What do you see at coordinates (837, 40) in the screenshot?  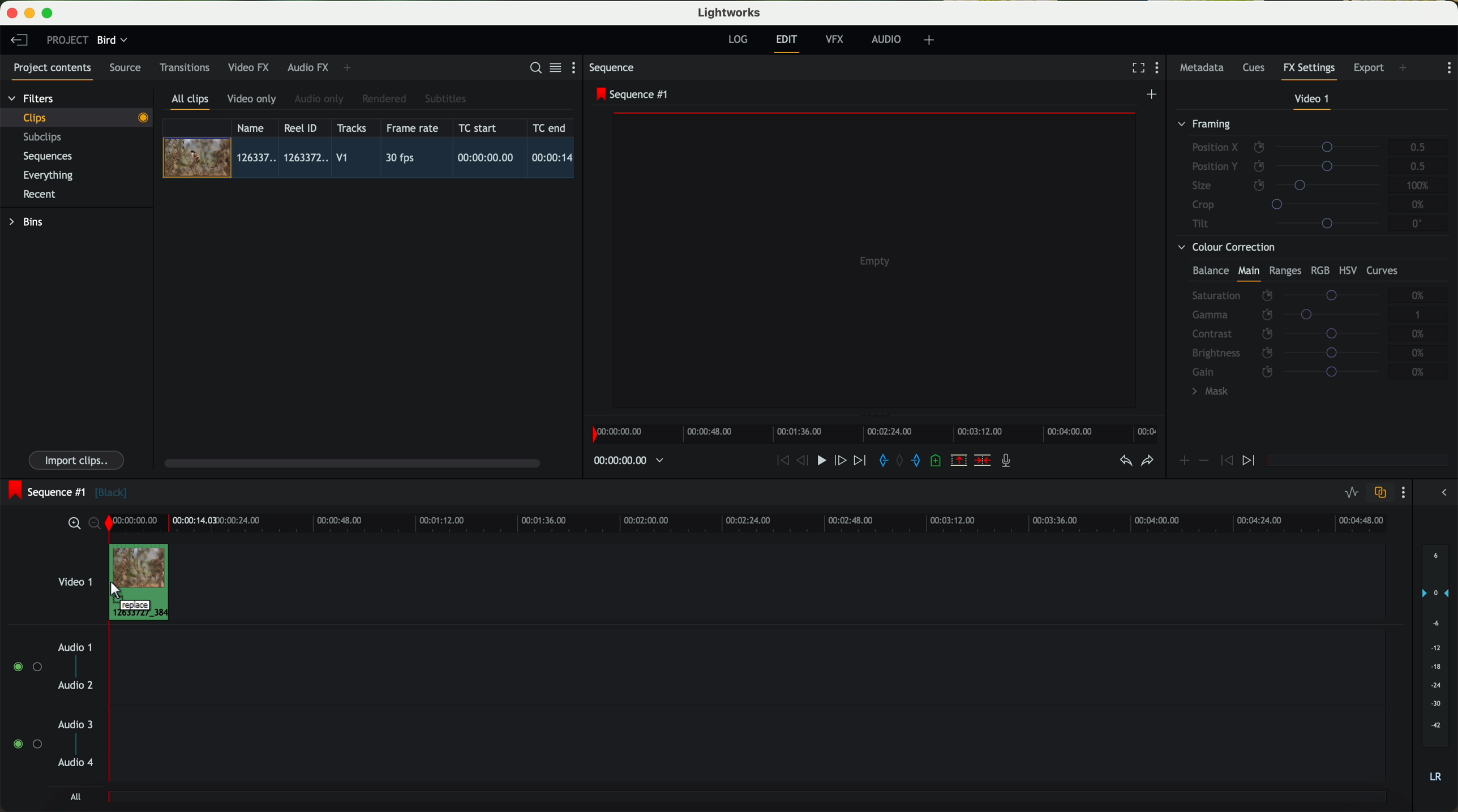 I see `VFX` at bounding box center [837, 40].